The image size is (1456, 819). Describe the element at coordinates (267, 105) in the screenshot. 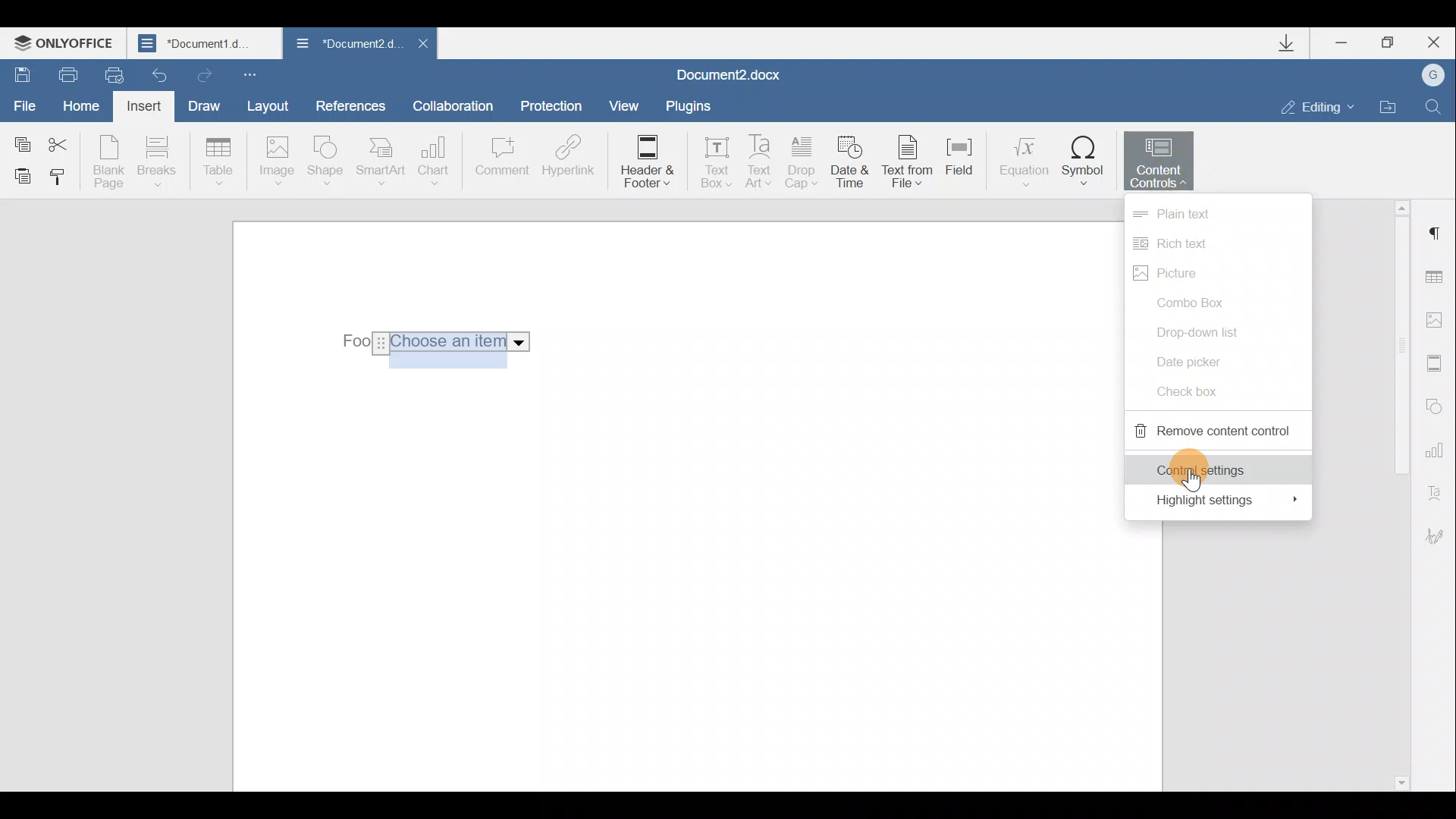

I see `Layout` at that location.